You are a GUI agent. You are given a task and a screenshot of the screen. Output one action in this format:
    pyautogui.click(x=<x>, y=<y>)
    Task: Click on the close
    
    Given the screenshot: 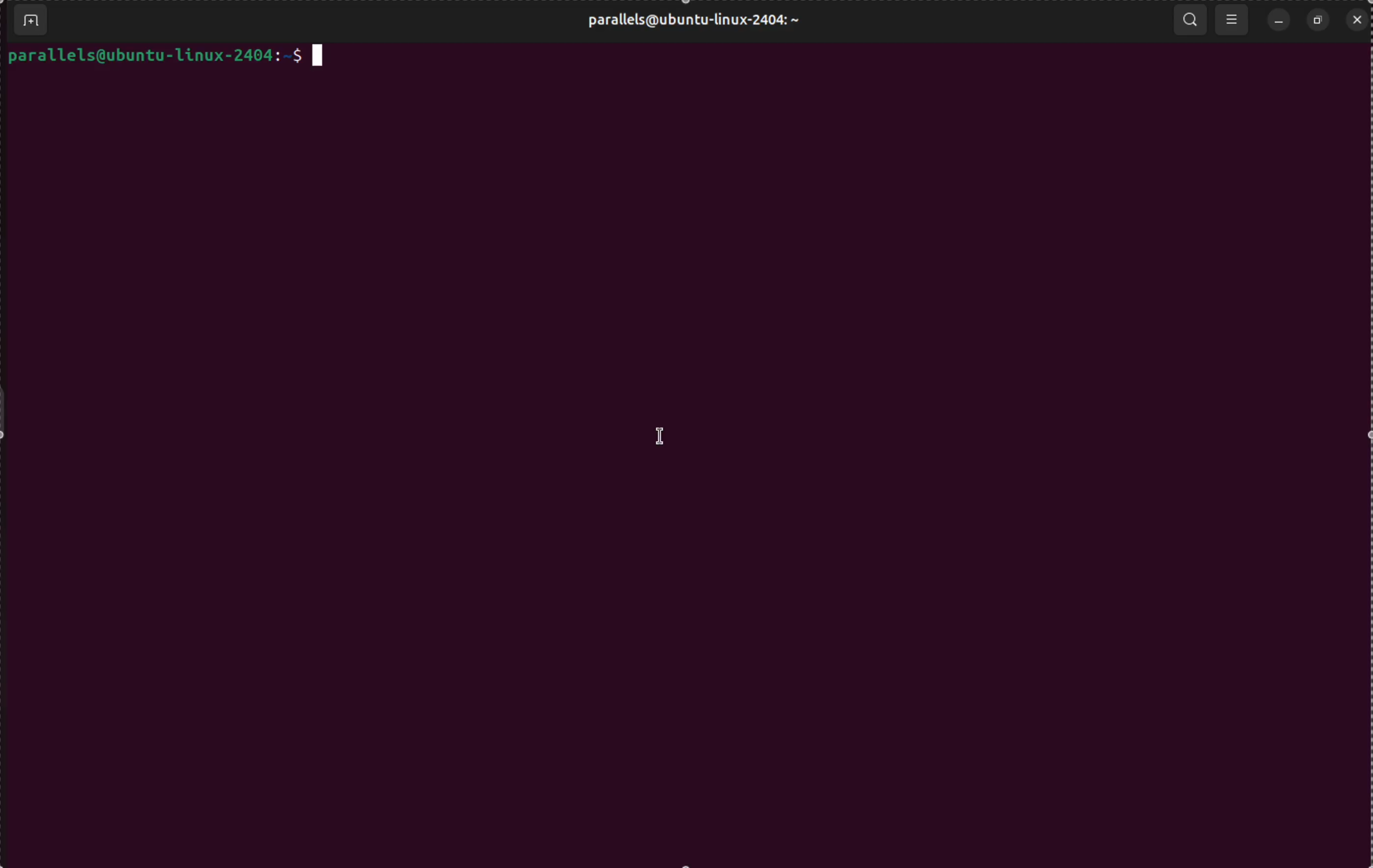 What is the action you would take?
    pyautogui.click(x=1356, y=19)
    